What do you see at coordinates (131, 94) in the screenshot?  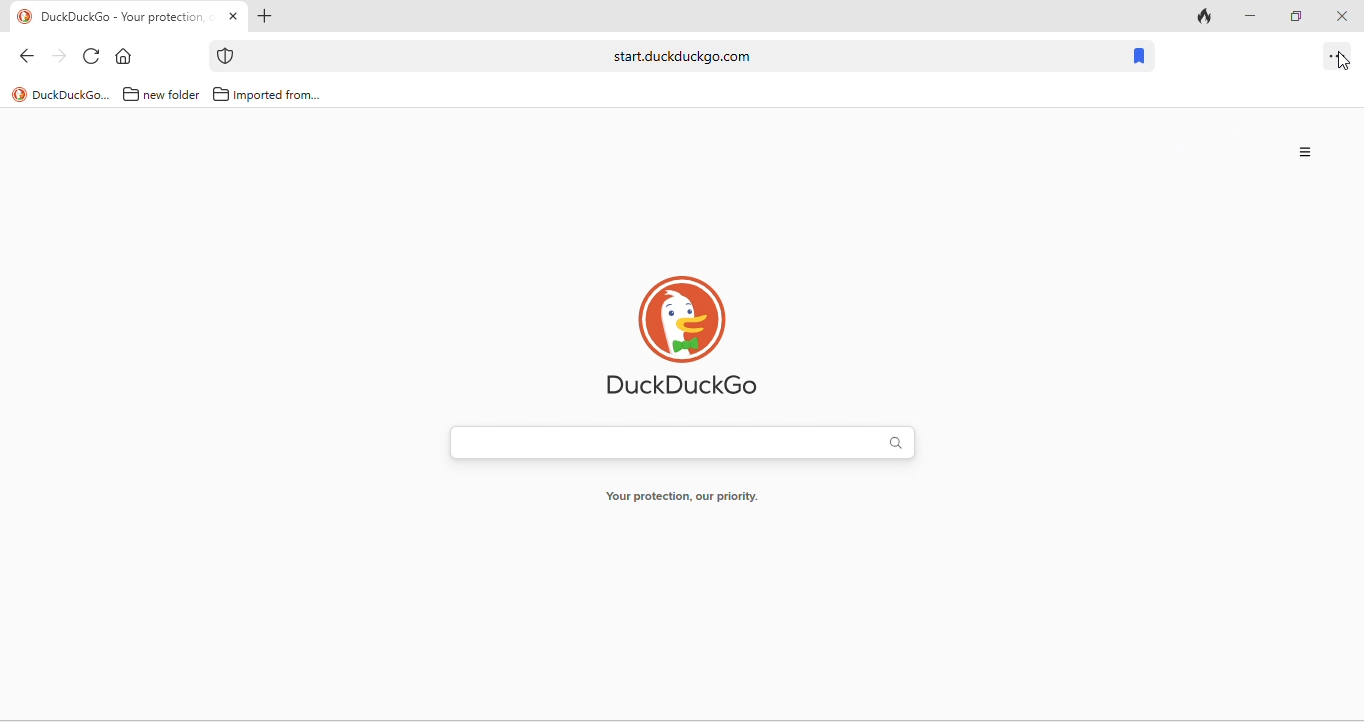 I see `folder icon` at bounding box center [131, 94].